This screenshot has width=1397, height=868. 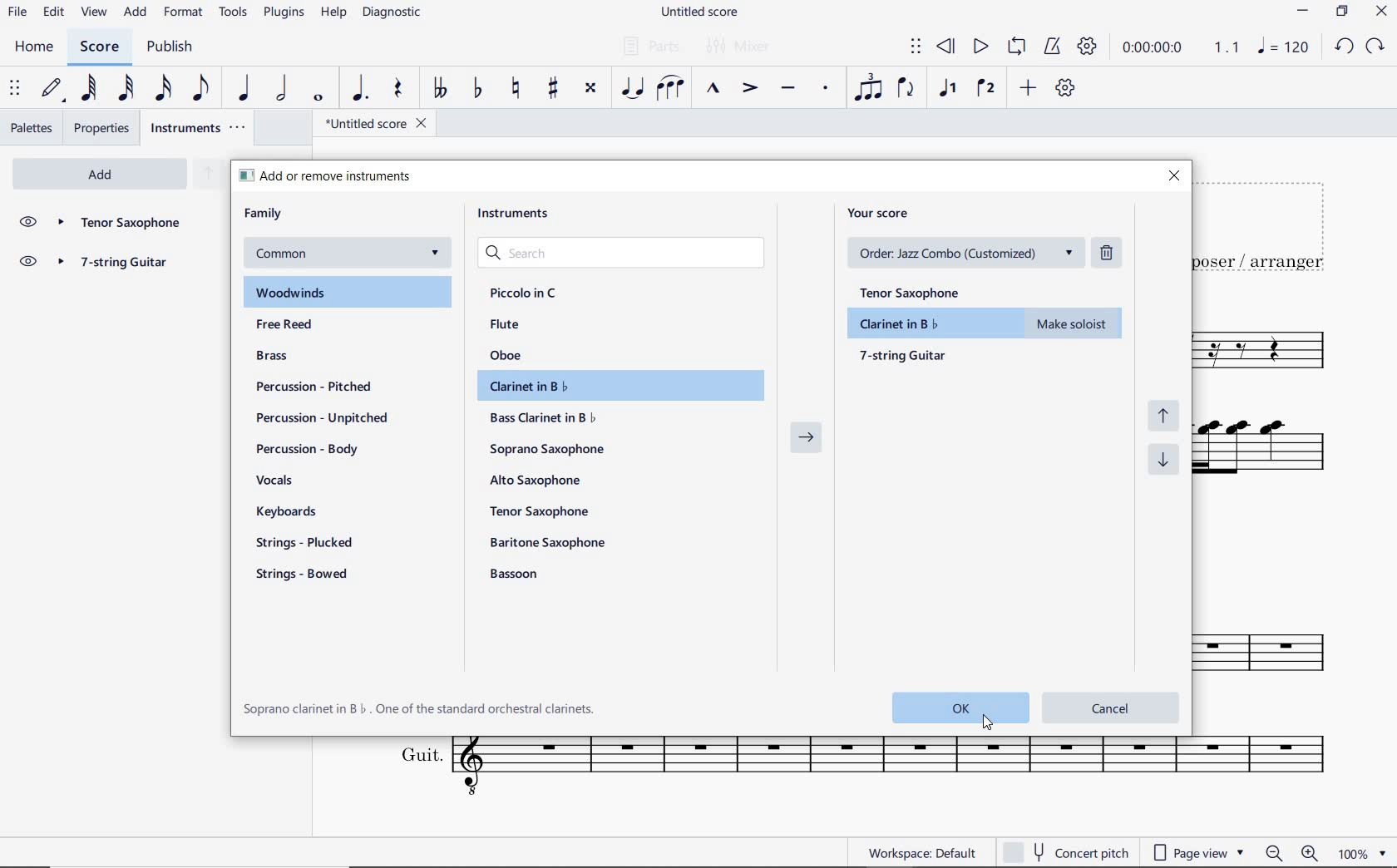 What do you see at coordinates (947, 90) in the screenshot?
I see `VOICE 1` at bounding box center [947, 90].